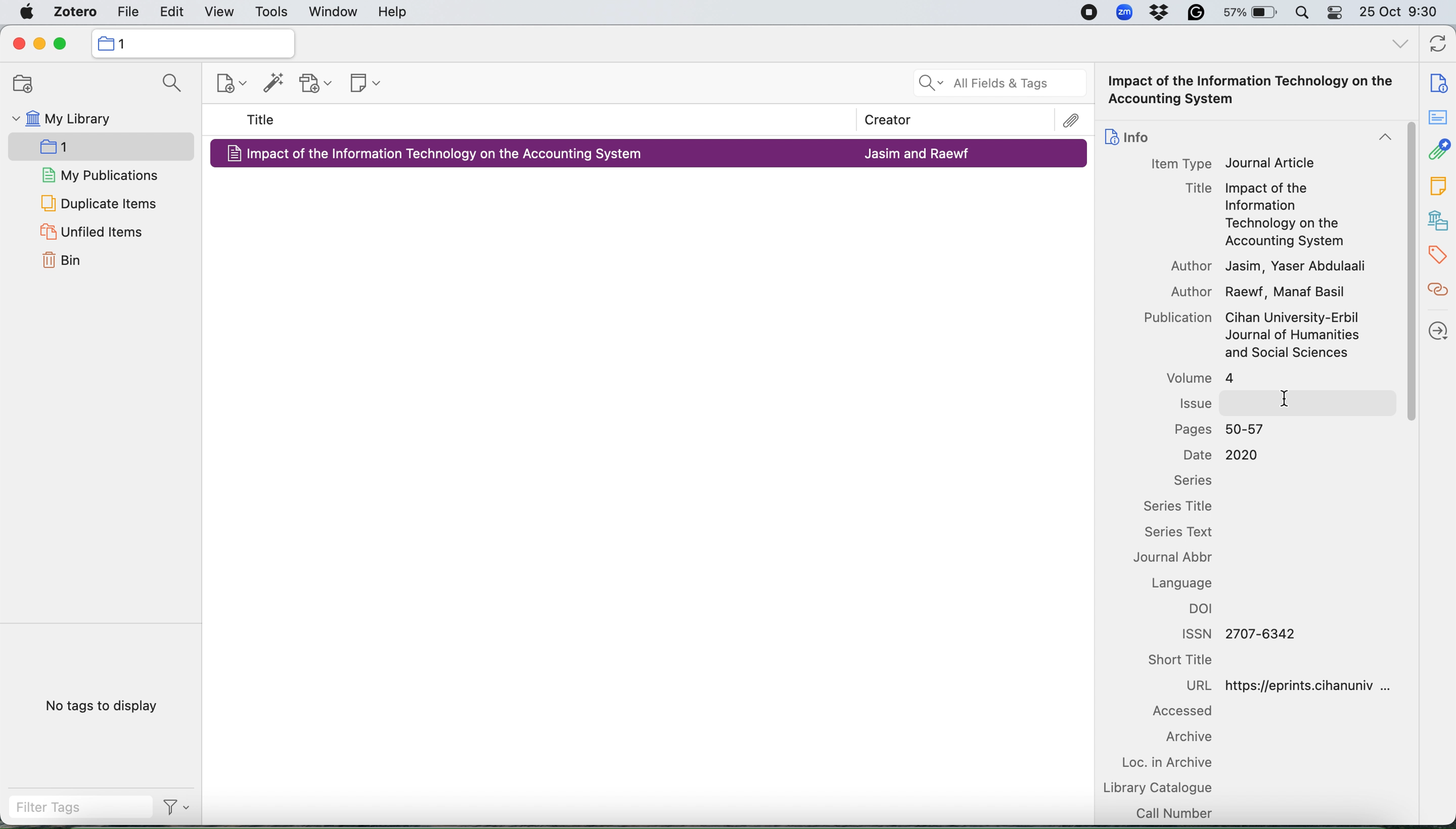  I want to click on call number, so click(1174, 812).